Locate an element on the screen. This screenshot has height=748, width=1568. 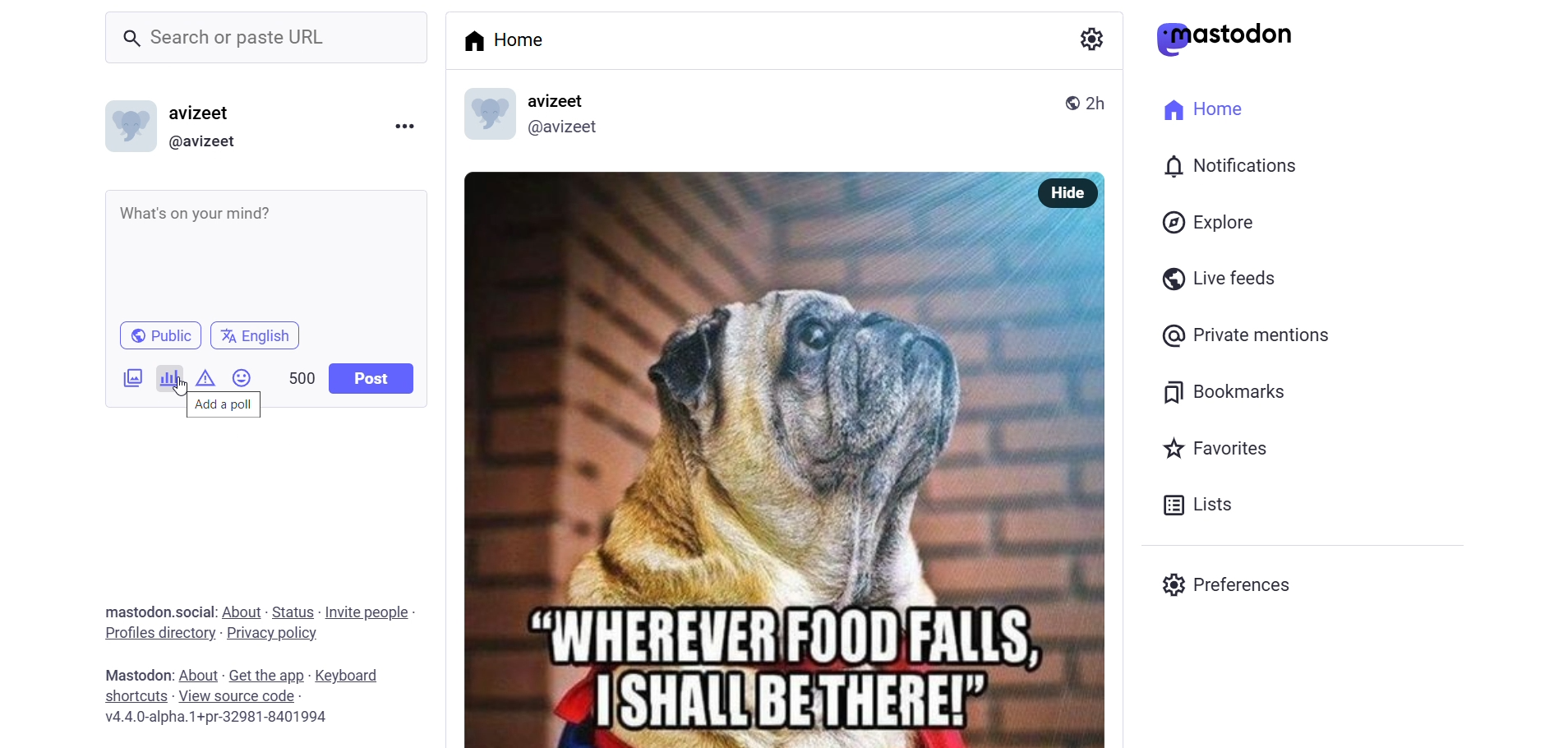
What's on your mind? is located at coordinates (263, 254).